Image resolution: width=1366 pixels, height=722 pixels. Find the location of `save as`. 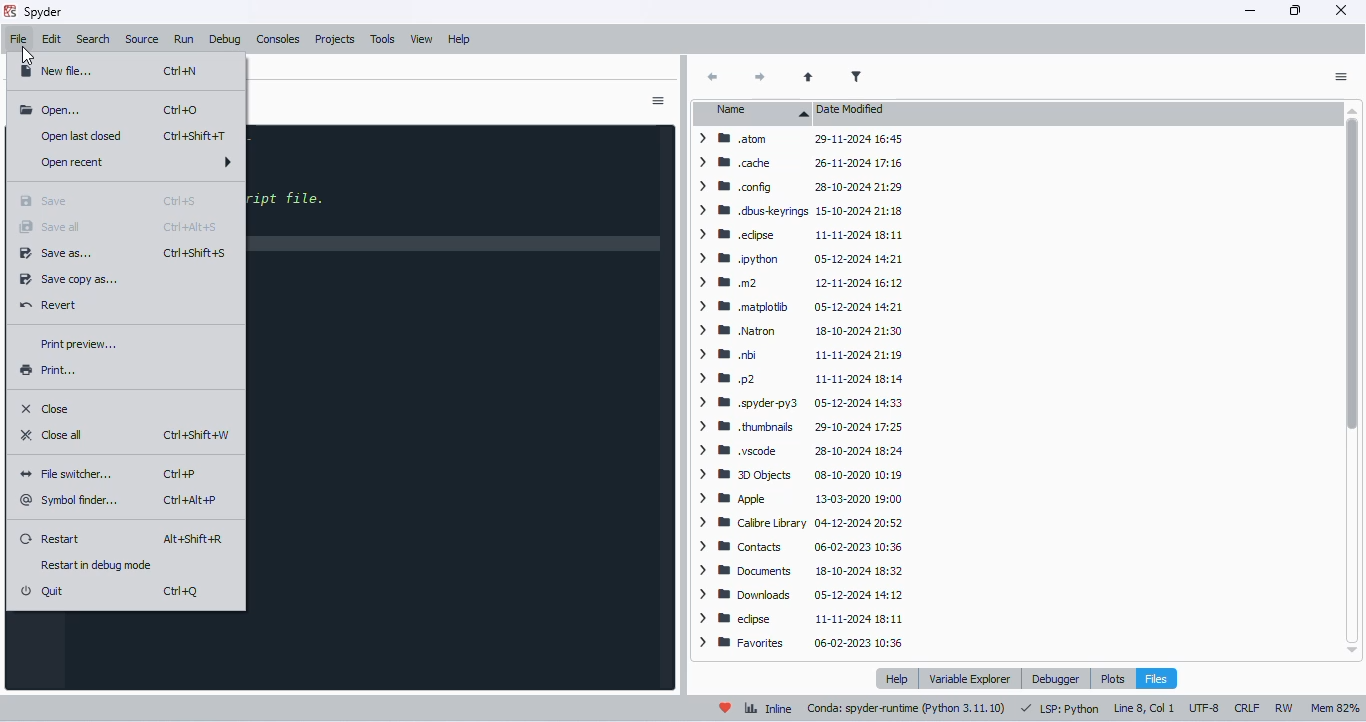

save as is located at coordinates (56, 252).